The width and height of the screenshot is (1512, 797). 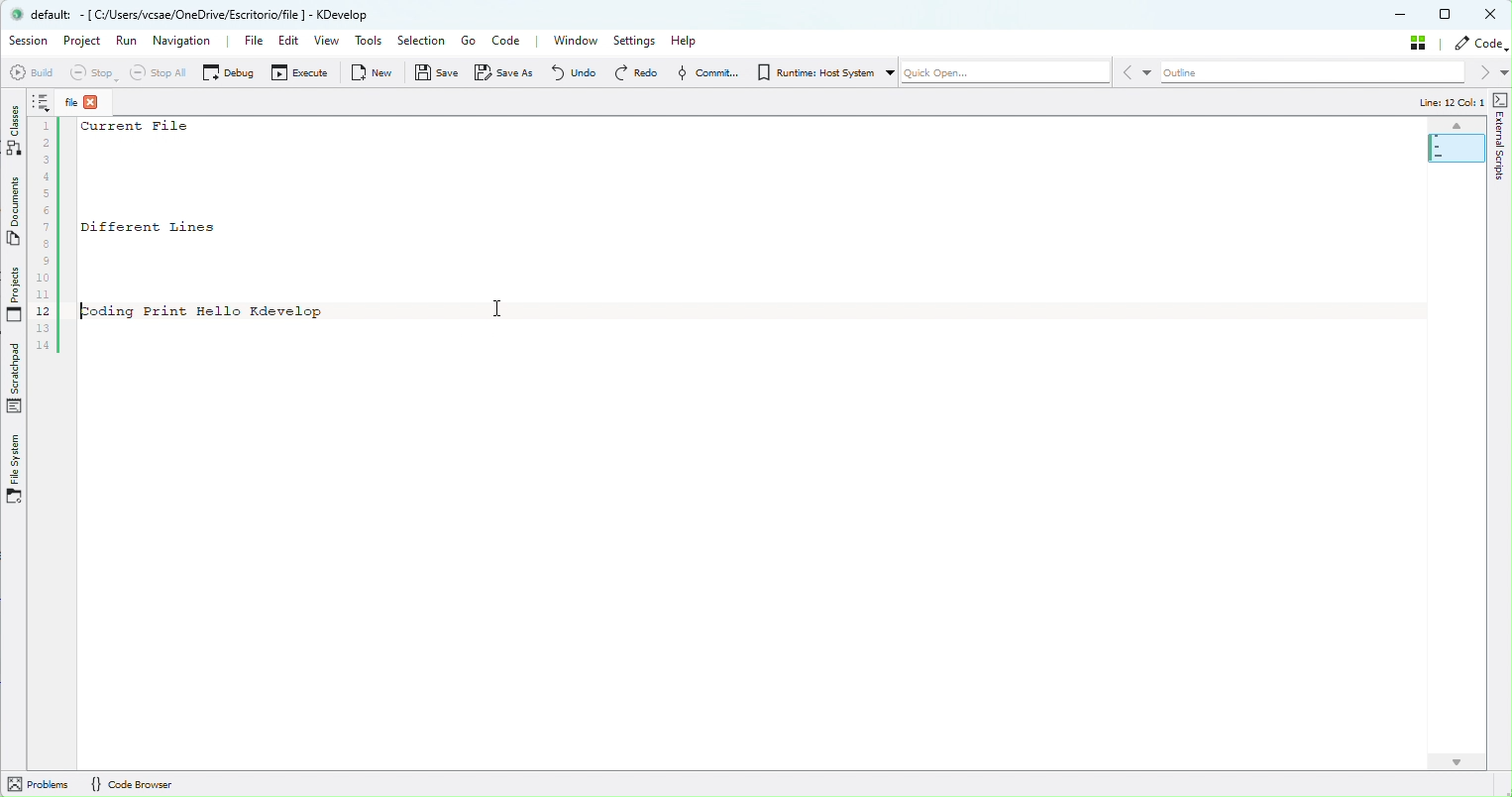 I want to click on Undo, so click(x=572, y=75).